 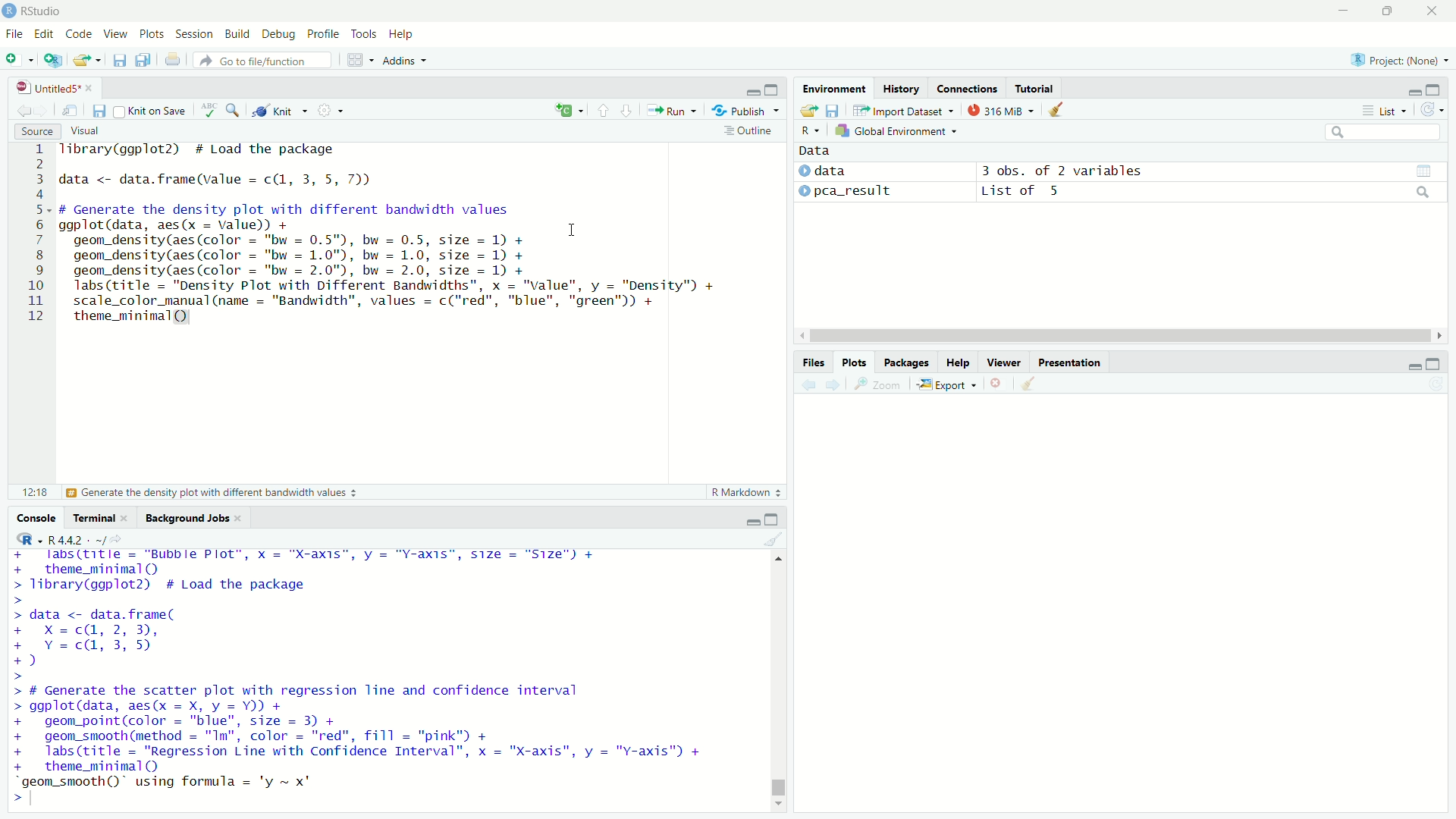 I want to click on Check spelling in the document, so click(x=209, y=109).